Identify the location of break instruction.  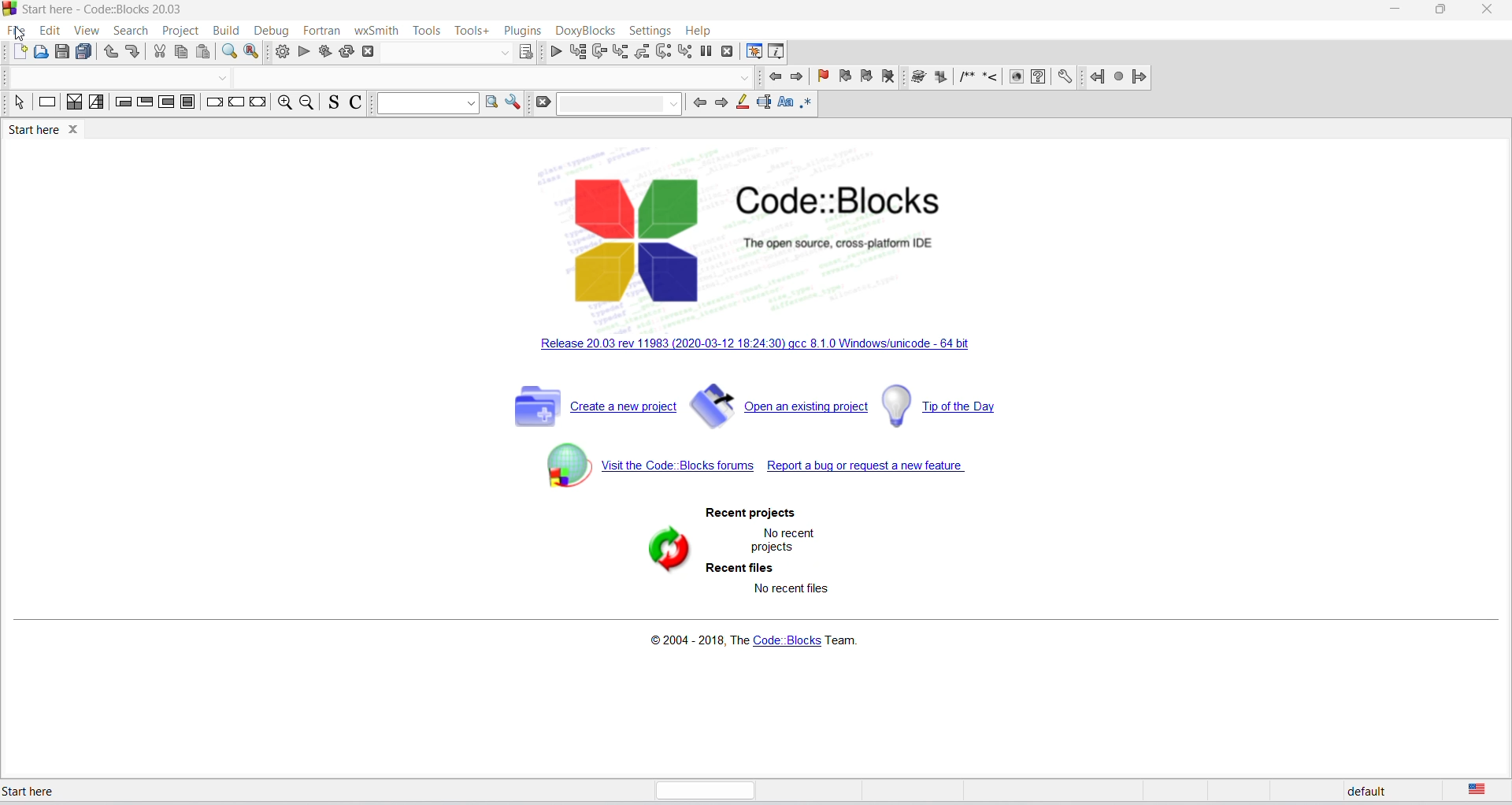
(212, 104).